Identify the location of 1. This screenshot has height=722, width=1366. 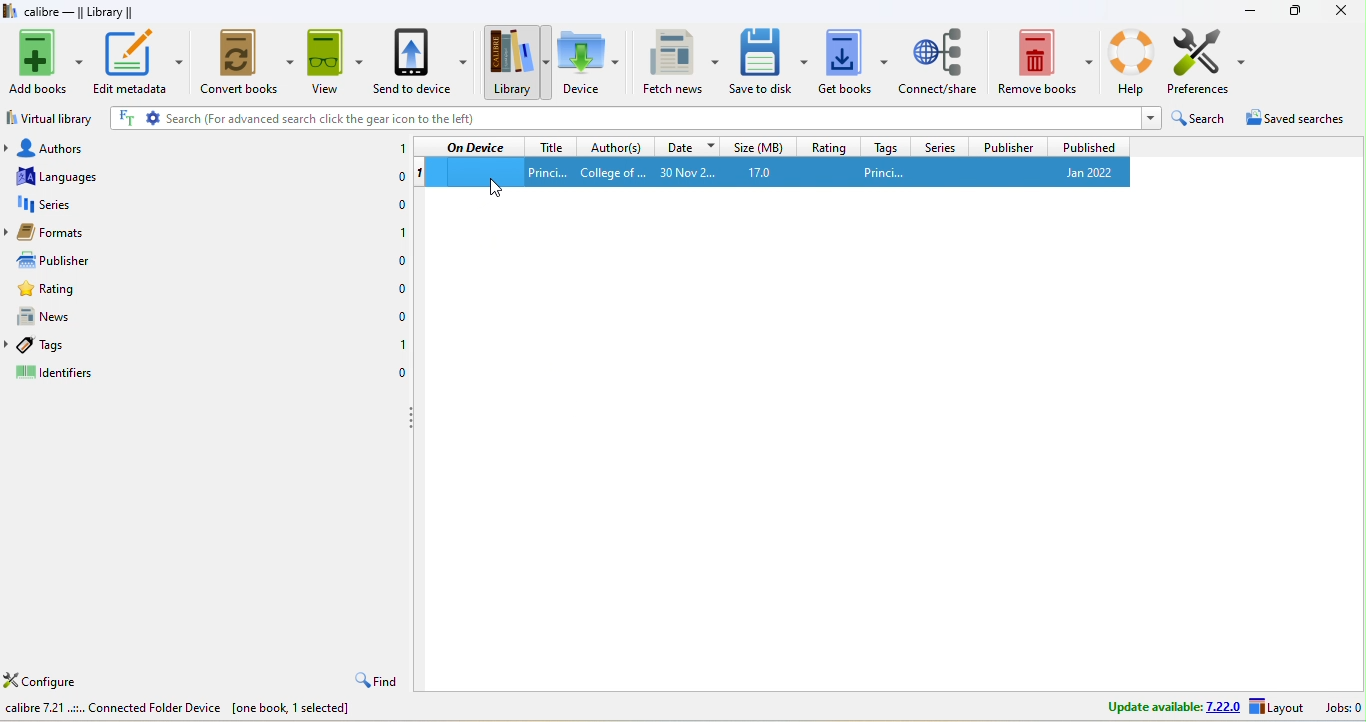
(420, 173).